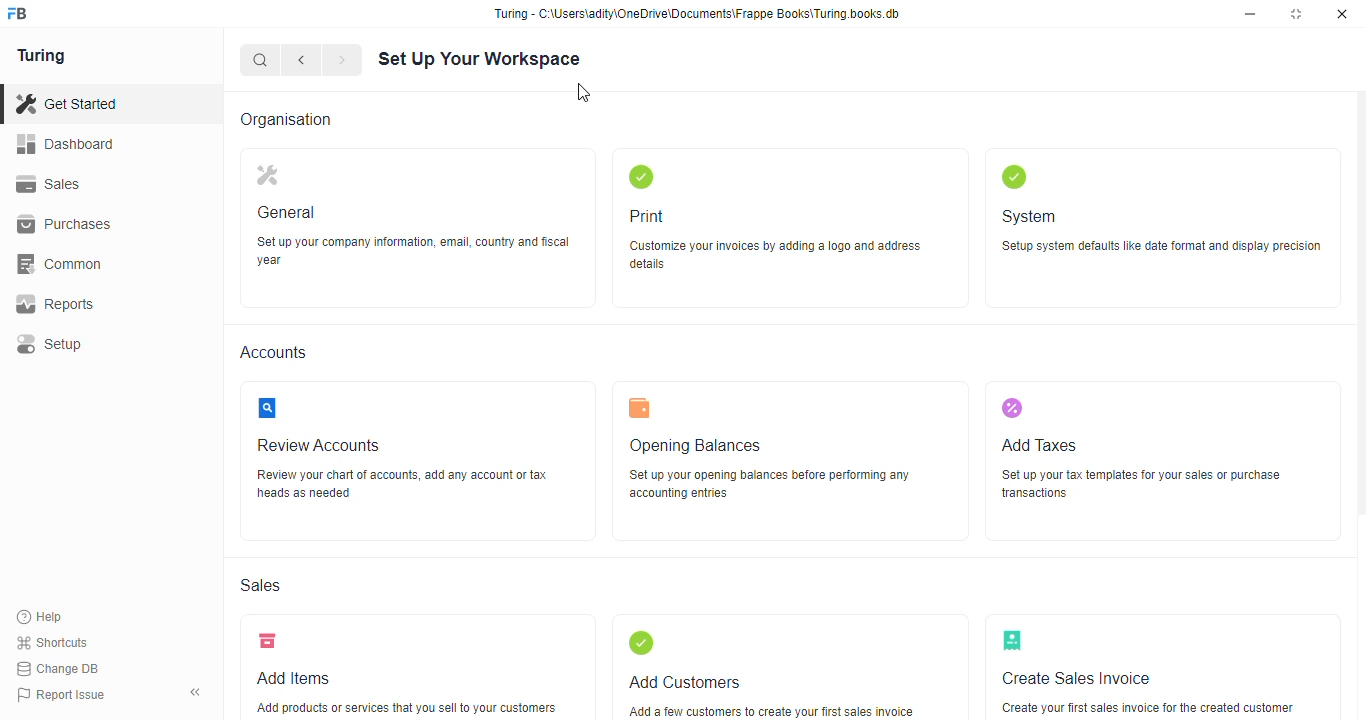  Describe the element at coordinates (298, 119) in the screenshot. I see `Organisation` at that location.